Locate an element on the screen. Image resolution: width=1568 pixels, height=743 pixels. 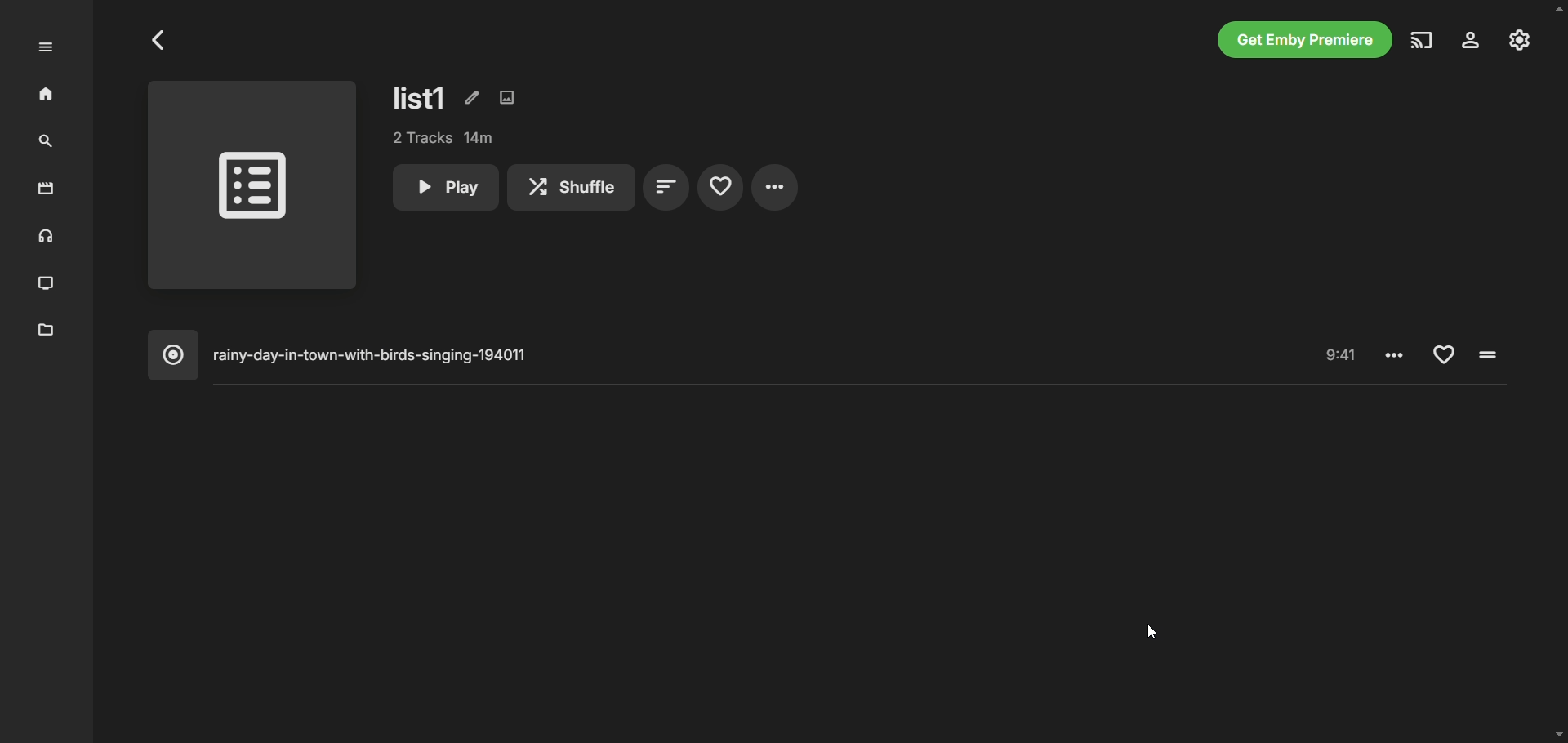
search is located at coordinates (46, 142).